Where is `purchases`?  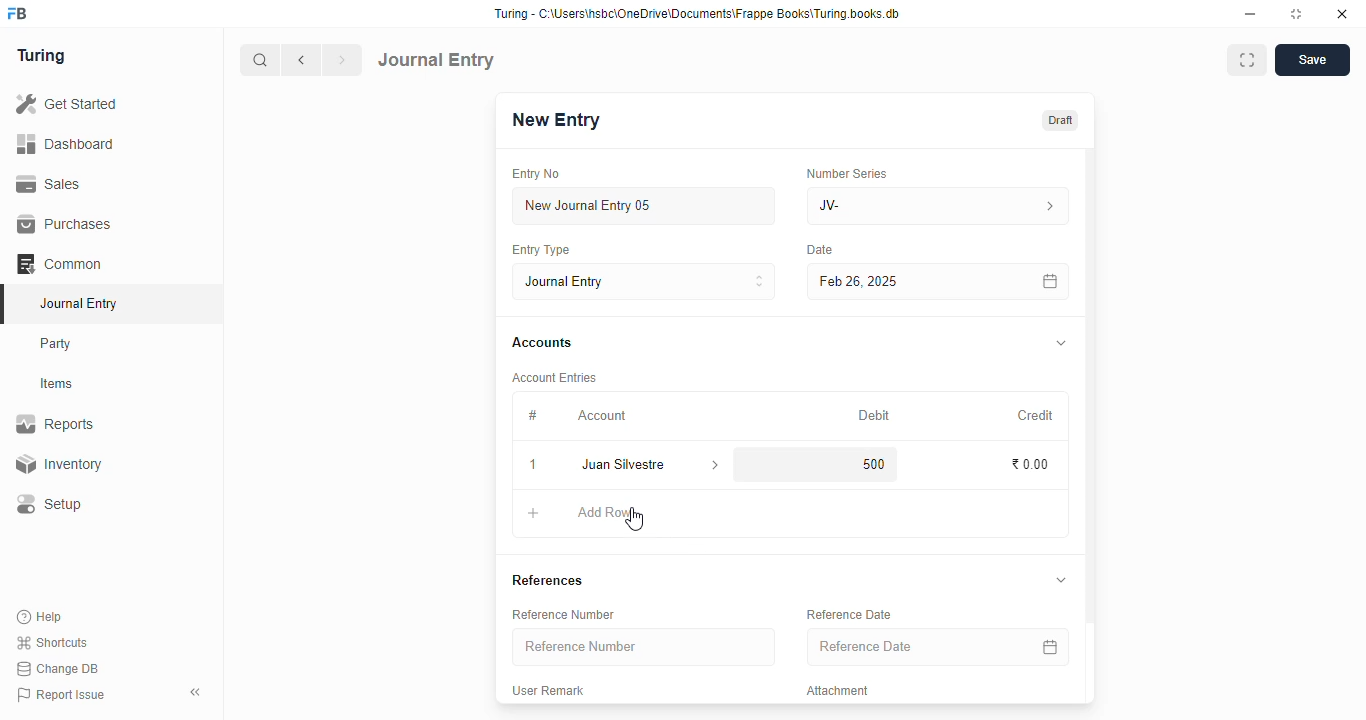 purchases is located at coordinates (64, 224).